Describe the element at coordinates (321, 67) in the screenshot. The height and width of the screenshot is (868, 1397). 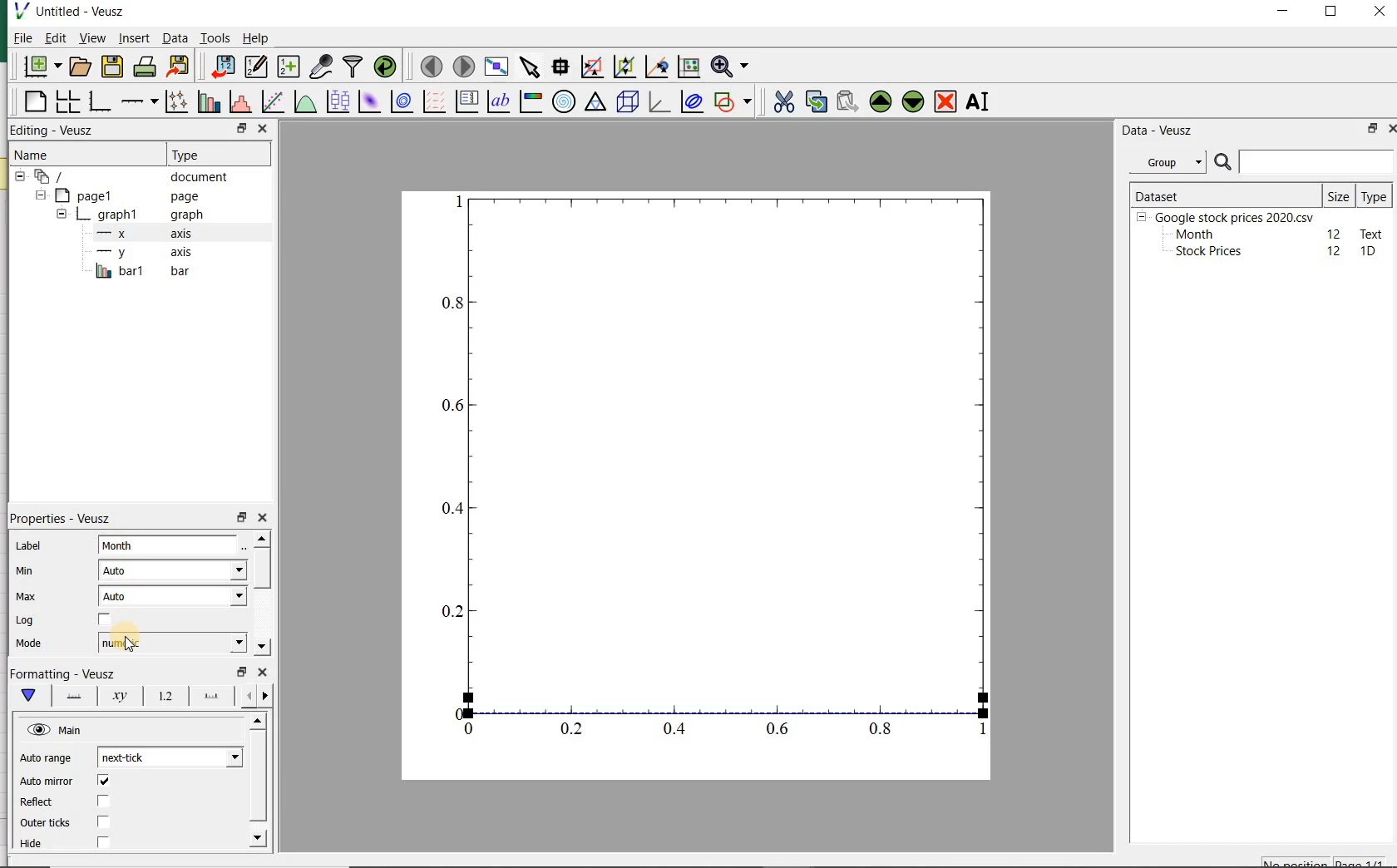
I see `capture remote data` at that location.